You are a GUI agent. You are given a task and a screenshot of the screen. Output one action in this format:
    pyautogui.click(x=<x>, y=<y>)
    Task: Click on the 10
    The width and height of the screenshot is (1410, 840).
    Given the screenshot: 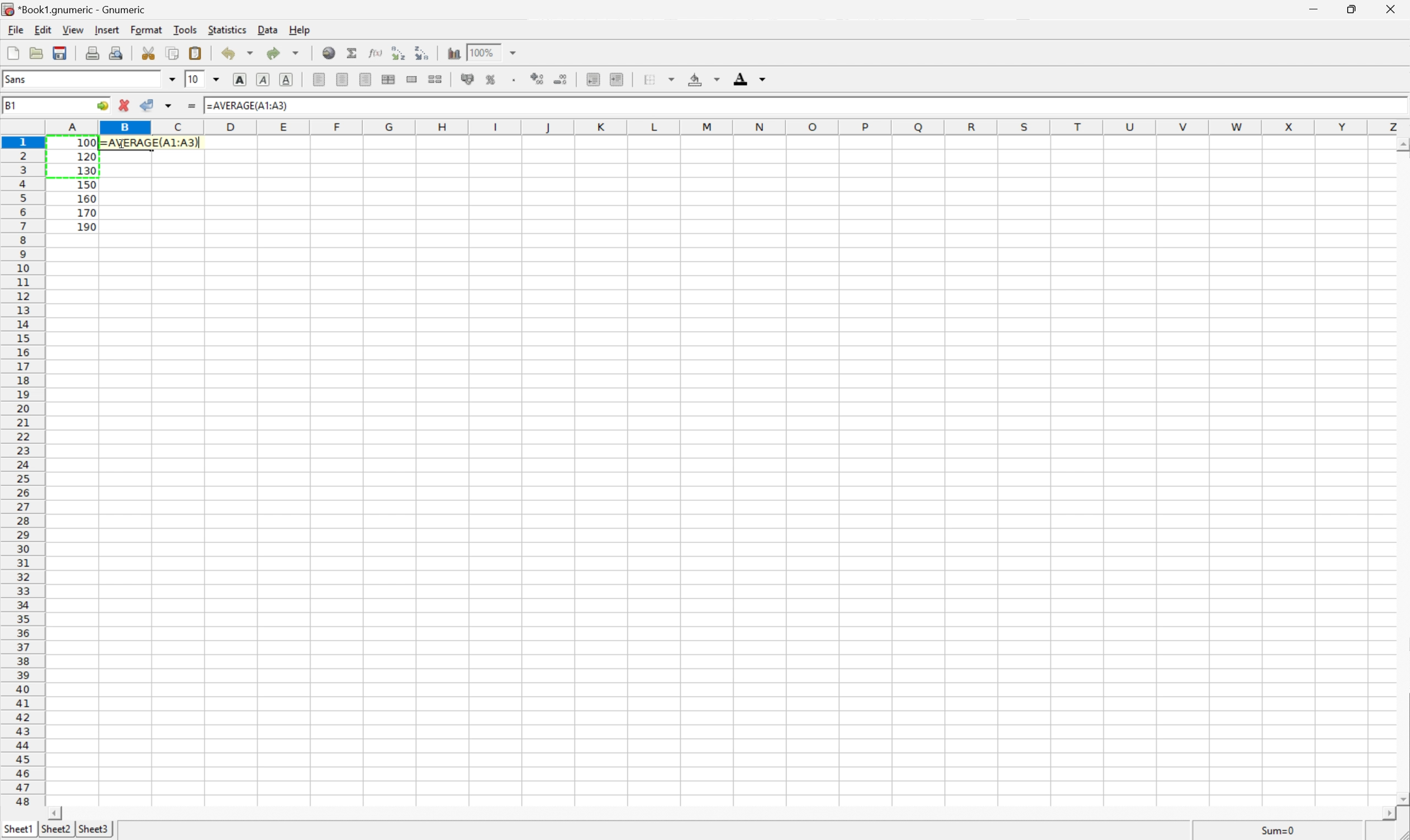 What is the action you would take?
    pyautogui.click(x=196, y=78)
    